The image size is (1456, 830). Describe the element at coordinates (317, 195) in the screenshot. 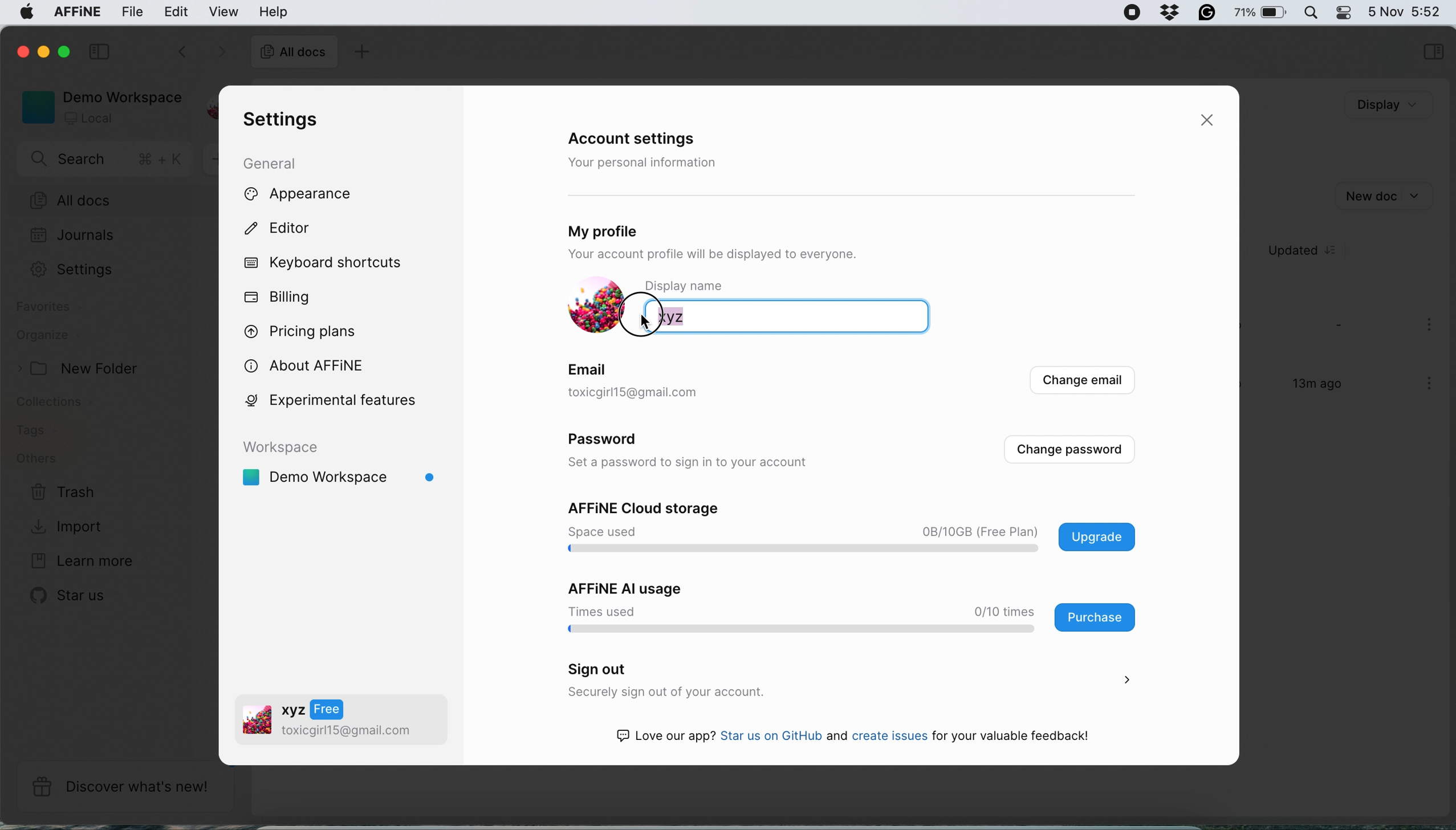

I see `appearance` at that location.